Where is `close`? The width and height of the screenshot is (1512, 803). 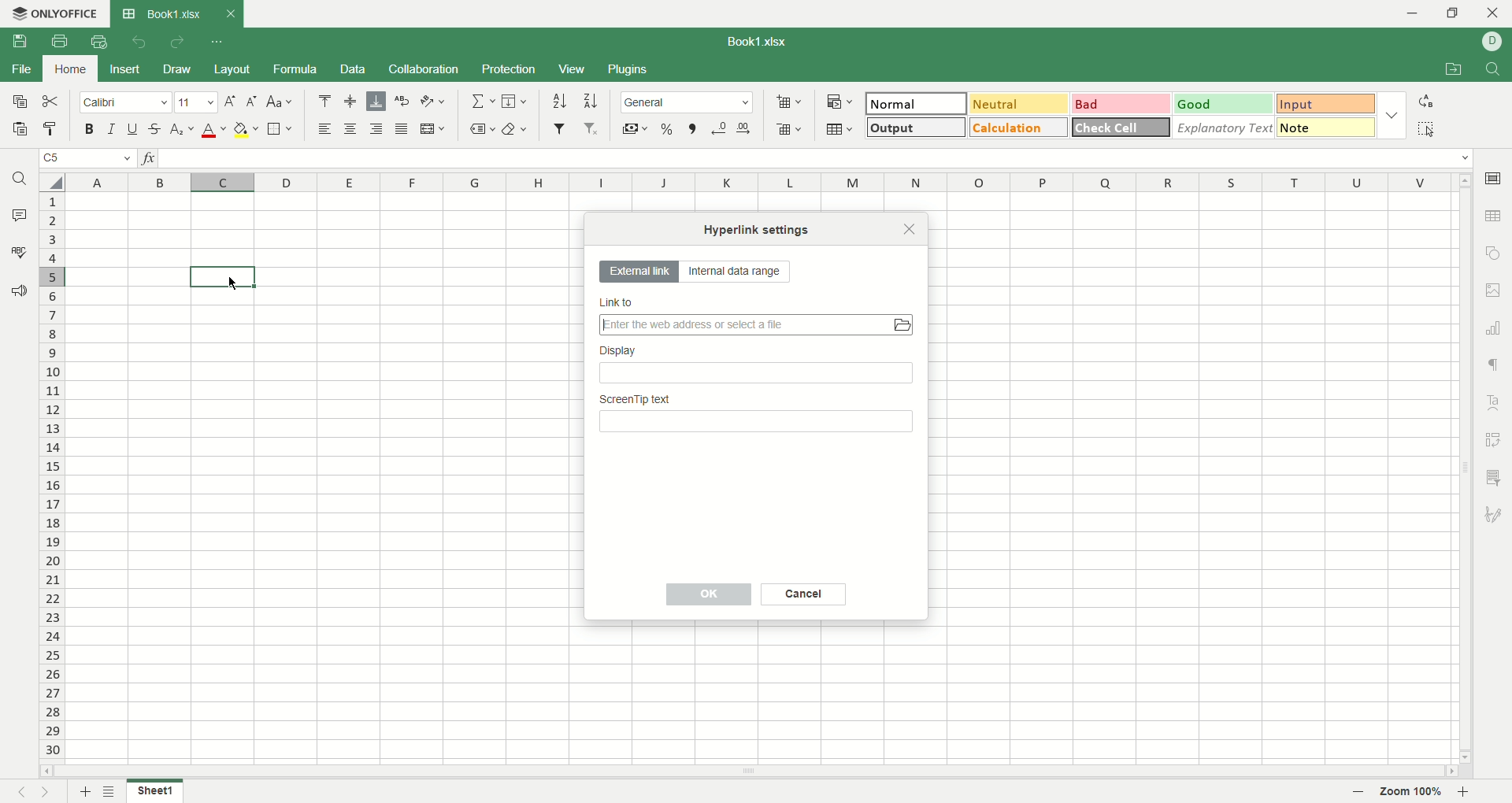
close is located at coordinates (1494, 15).